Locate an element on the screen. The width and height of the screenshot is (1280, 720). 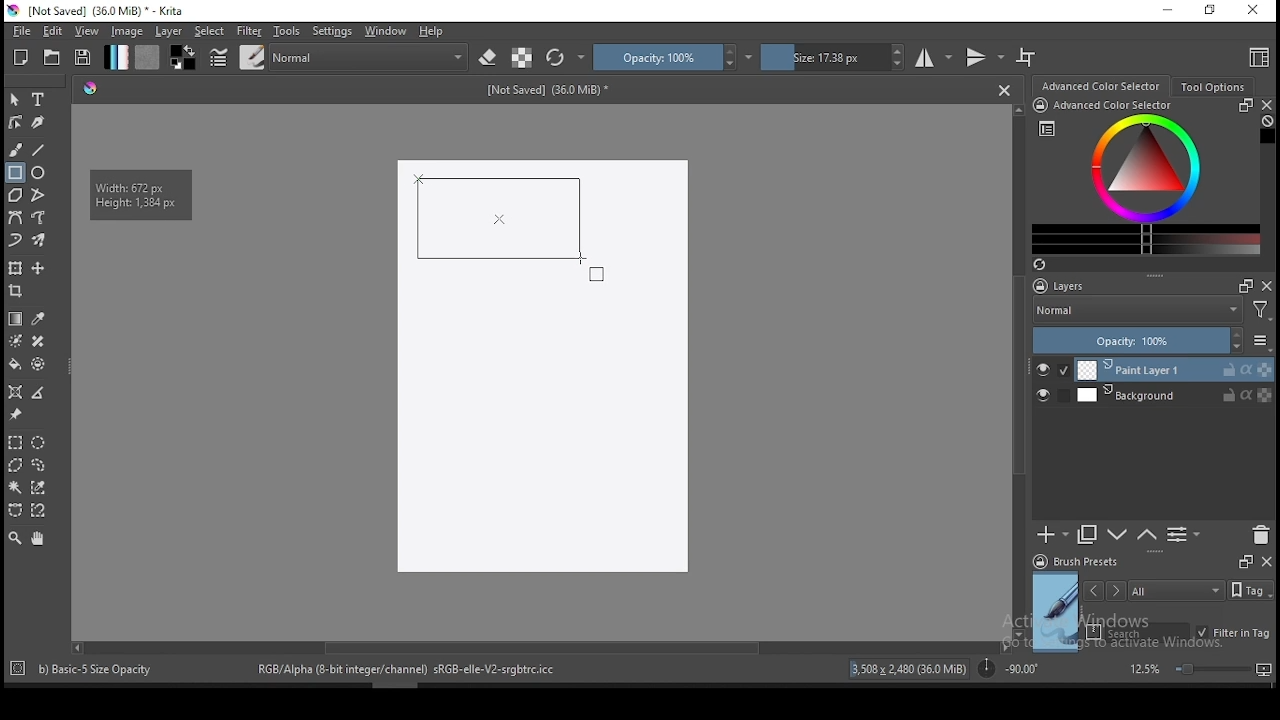
resolution is located at coordinates (908, 672).